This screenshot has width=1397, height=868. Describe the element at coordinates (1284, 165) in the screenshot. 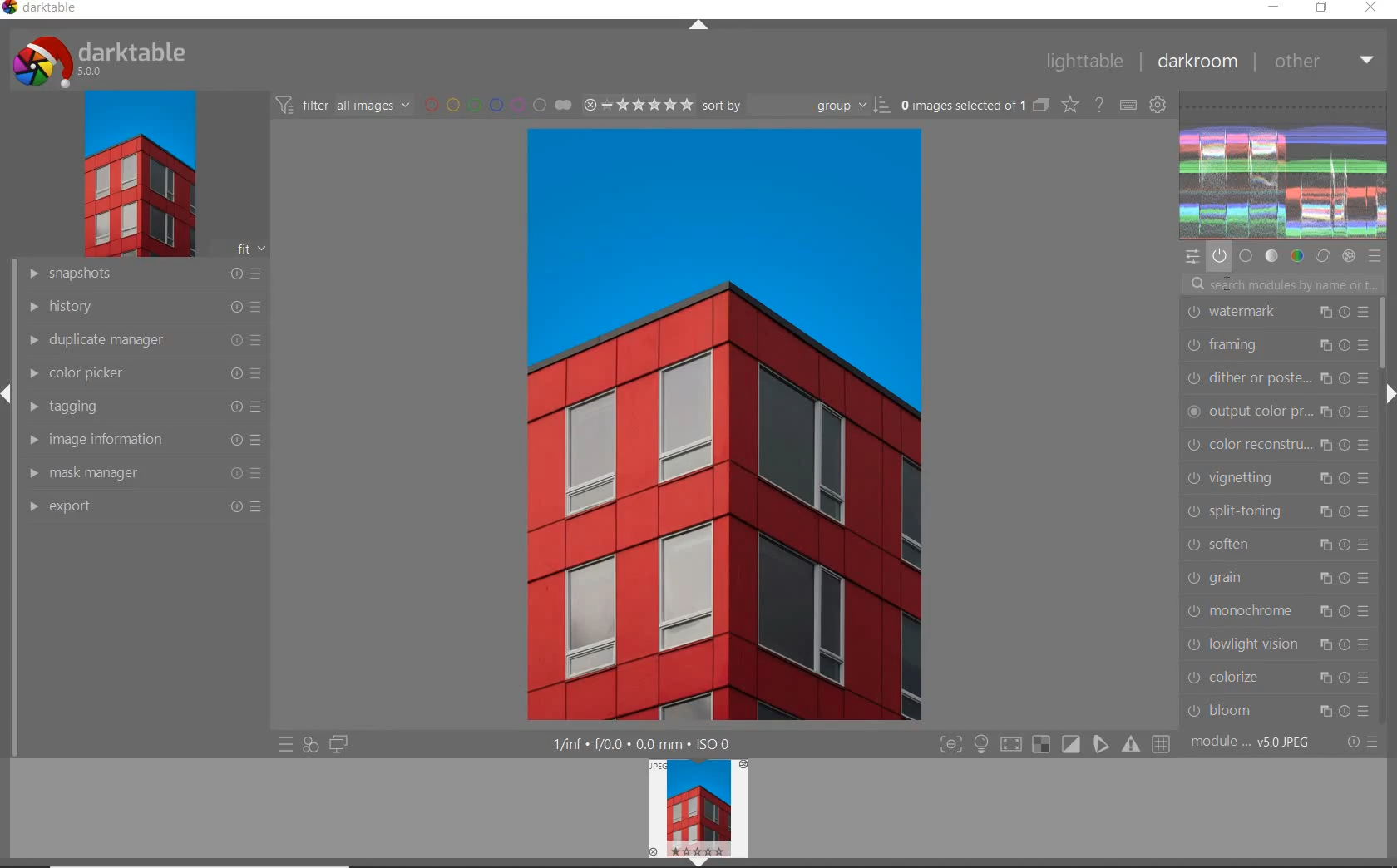

I see `wave form` at that location.